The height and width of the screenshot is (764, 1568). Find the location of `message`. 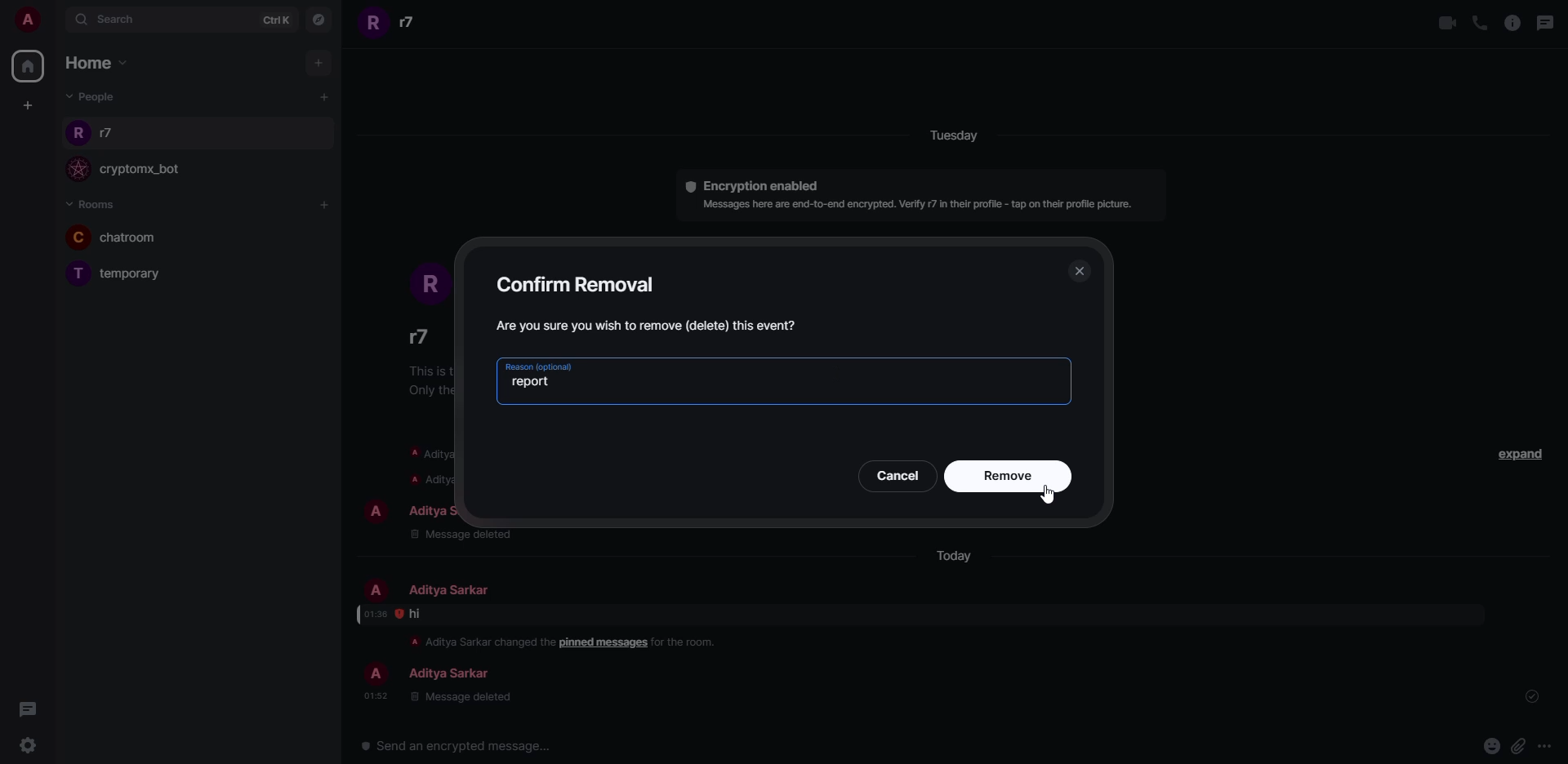

message is located at coordinates (416, 614).